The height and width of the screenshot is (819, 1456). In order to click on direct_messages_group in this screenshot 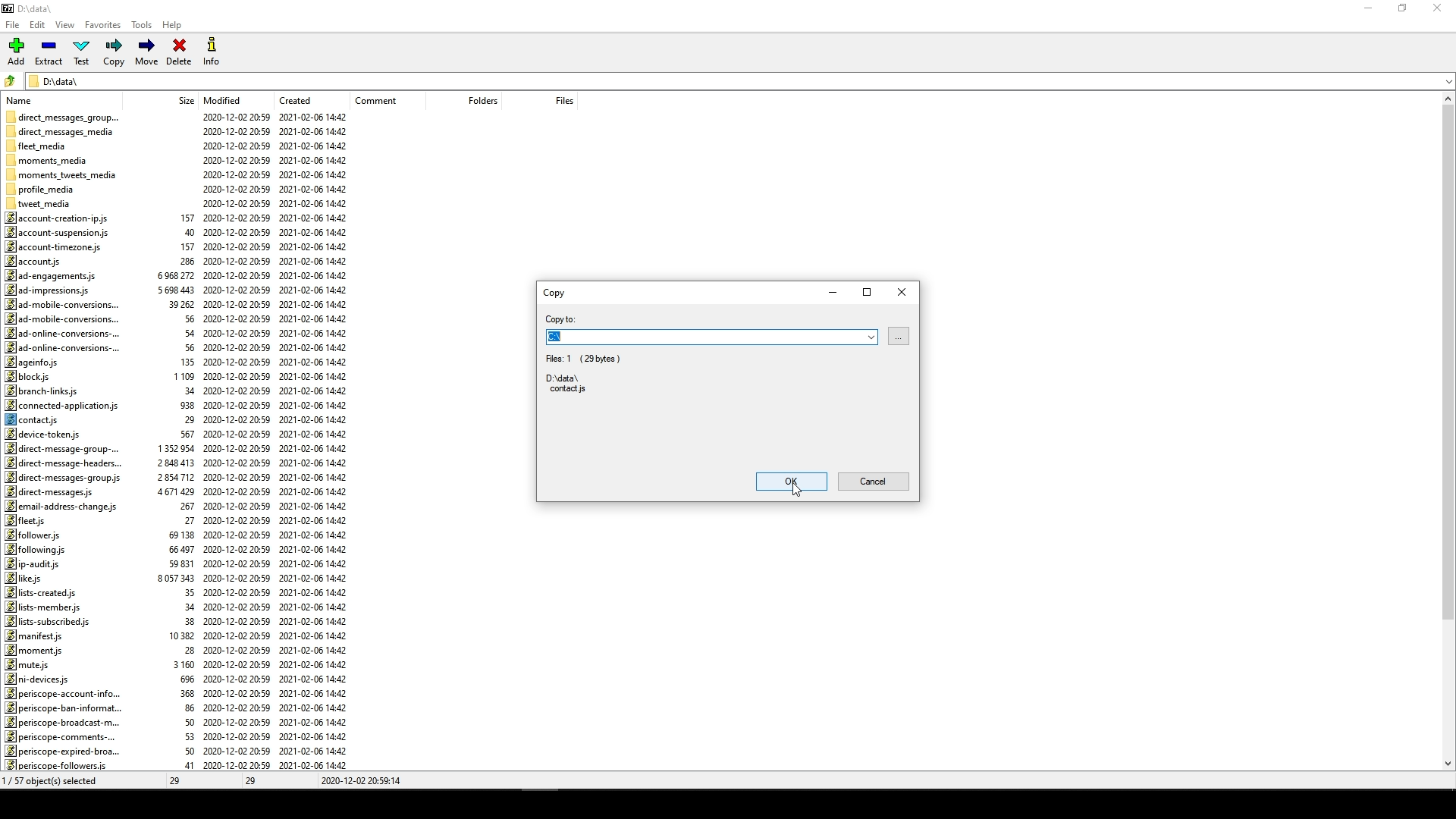, I will do `click(64, 115)`.